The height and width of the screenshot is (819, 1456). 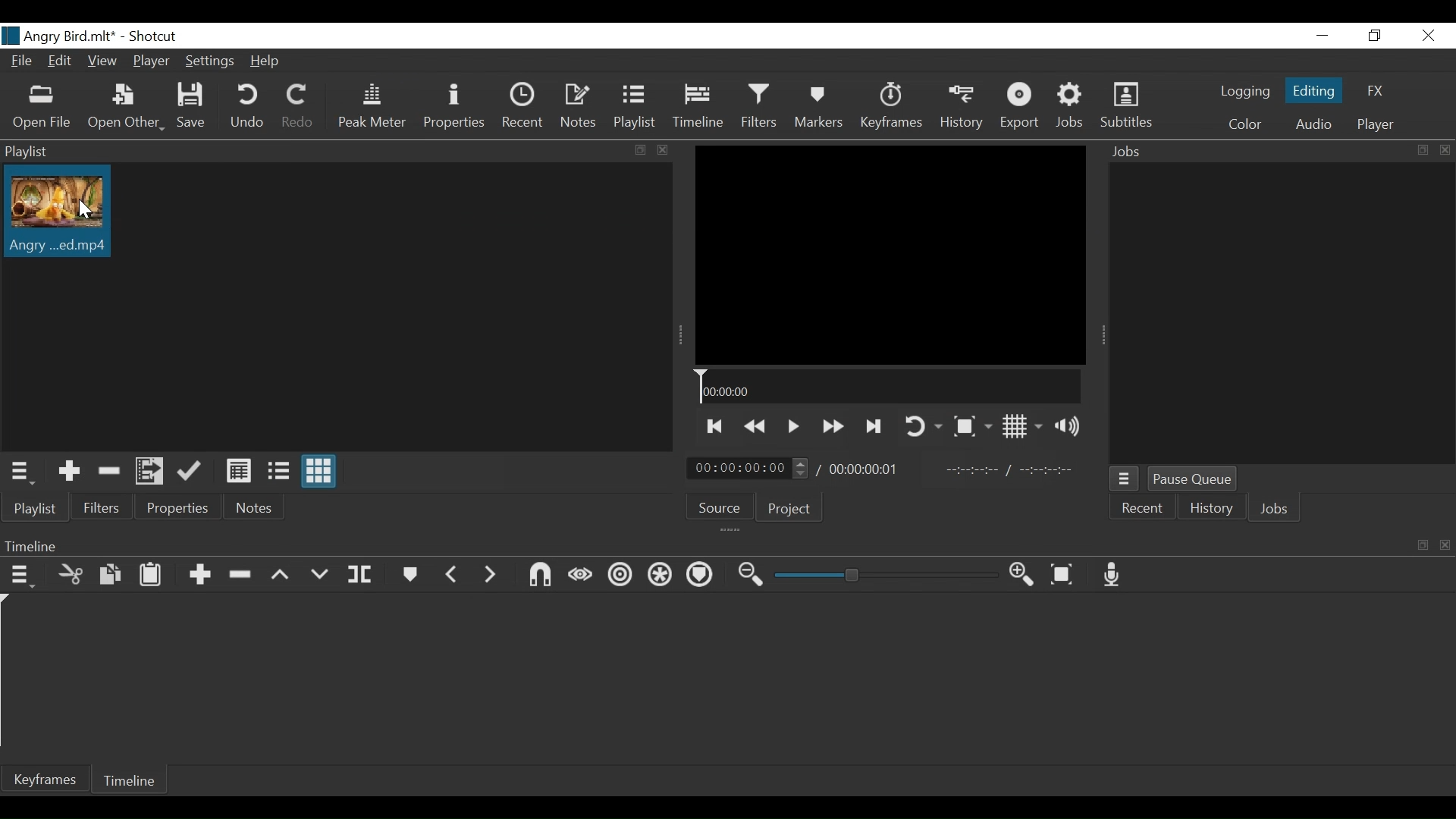 I want to click on Toggle display grid on the player, so click(x=1022, y=426).